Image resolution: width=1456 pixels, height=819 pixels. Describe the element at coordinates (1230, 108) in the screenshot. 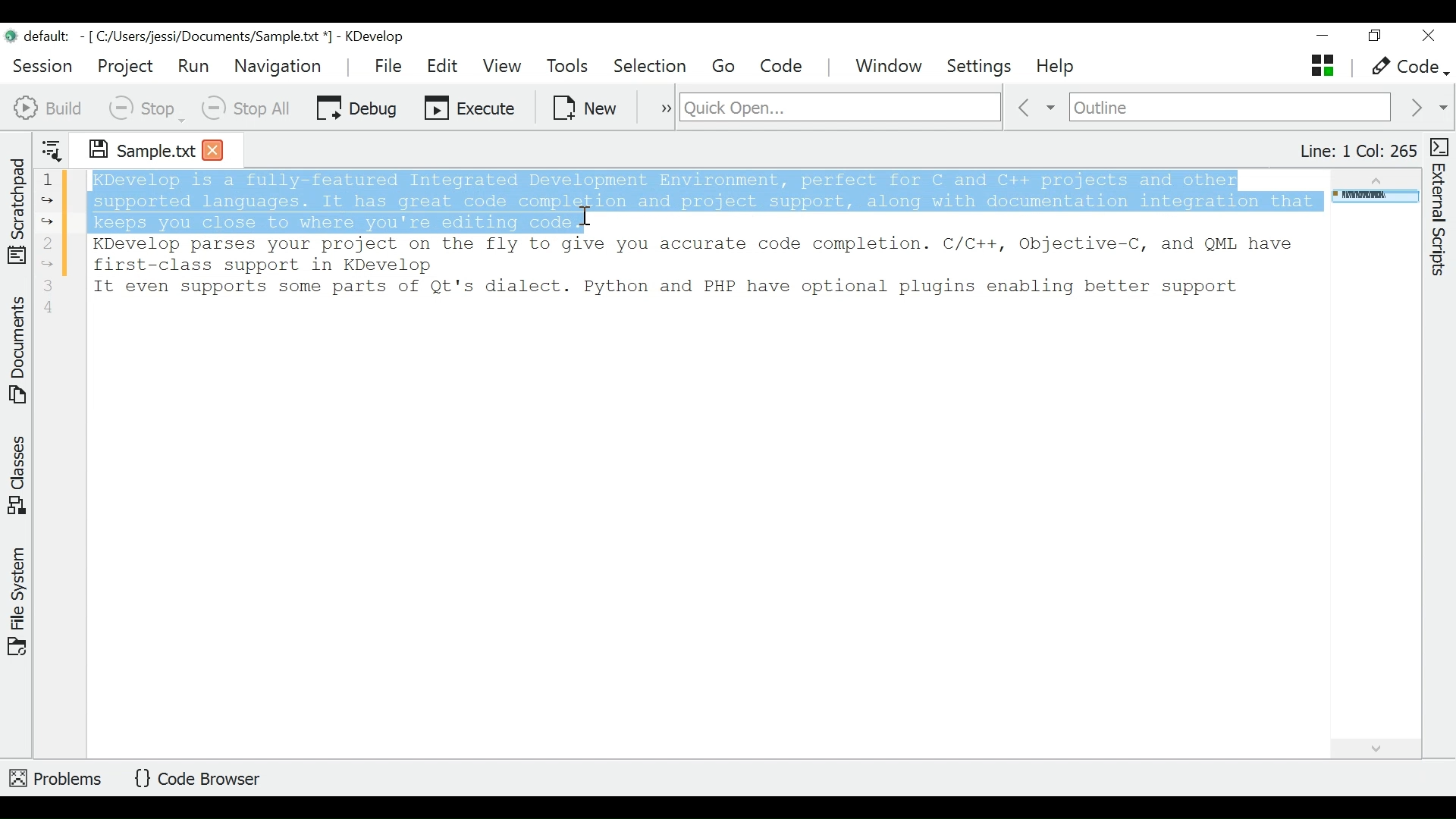

I see `Outline` at that location.